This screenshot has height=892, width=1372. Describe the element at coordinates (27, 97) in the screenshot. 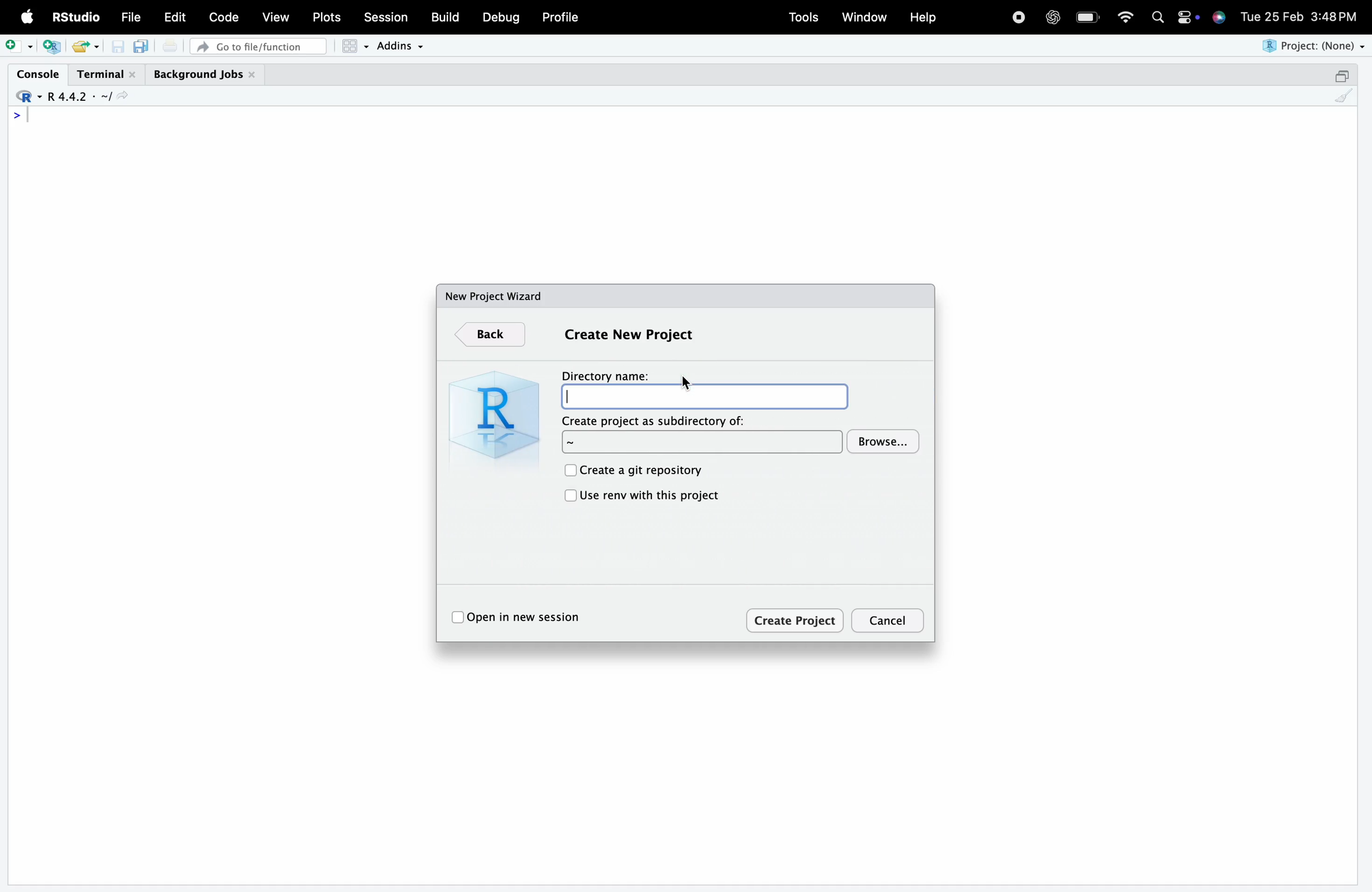

I see `R` at that location.